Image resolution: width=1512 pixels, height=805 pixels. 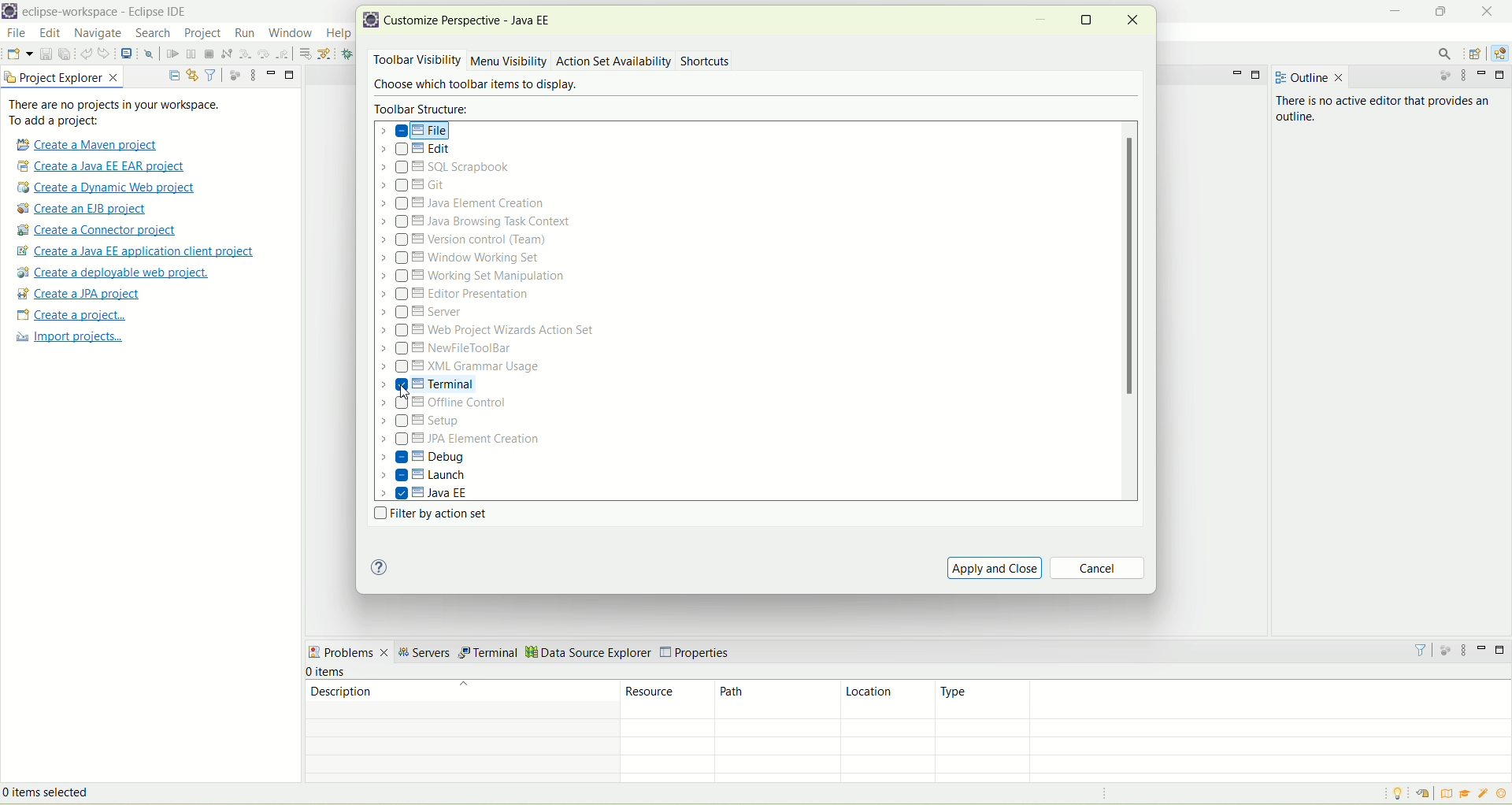 I want to click on newfiletoolbar, so click(x=447, y=350).